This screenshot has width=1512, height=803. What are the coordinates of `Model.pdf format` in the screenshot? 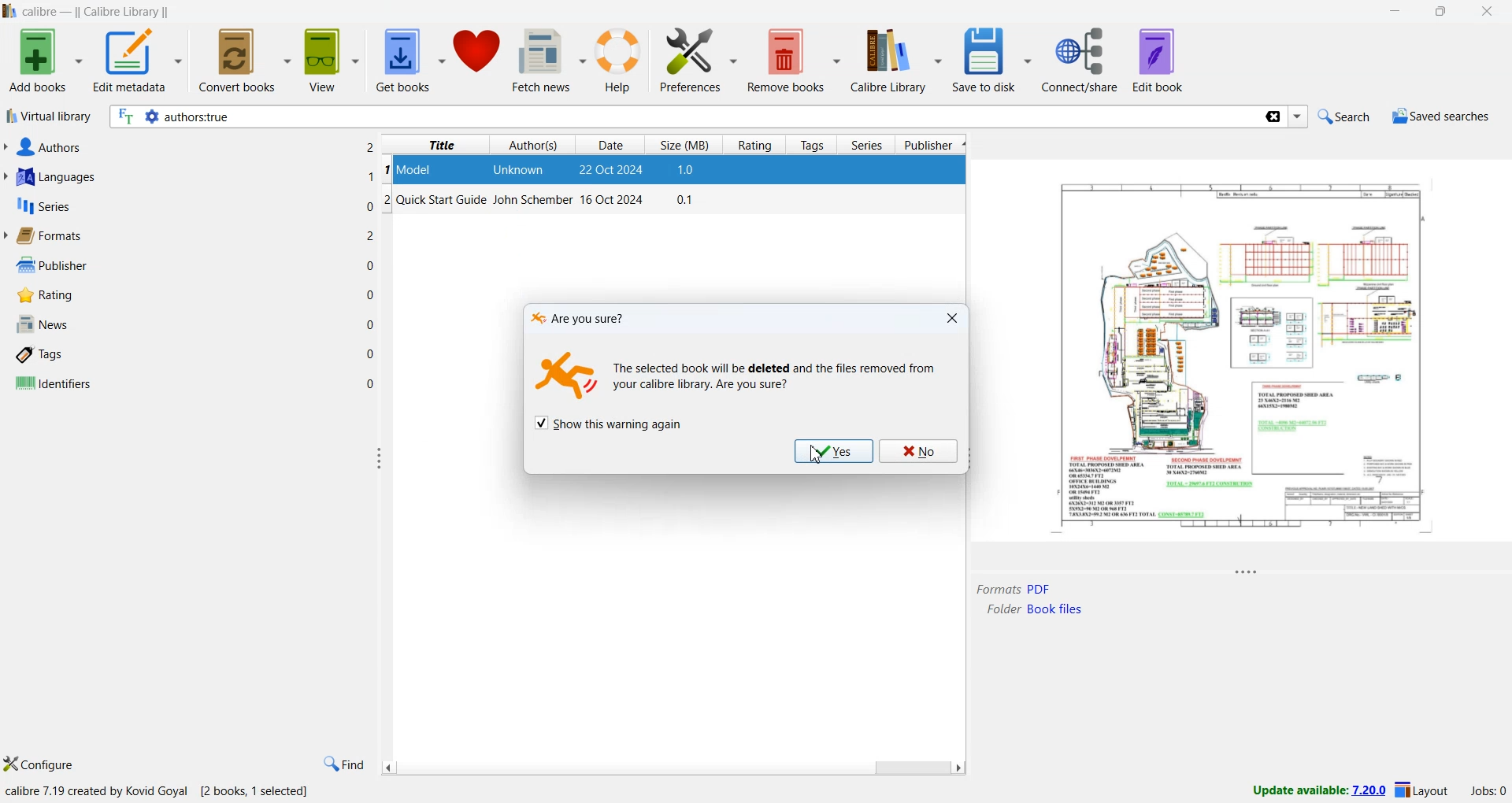 It's located at (1014, 589).